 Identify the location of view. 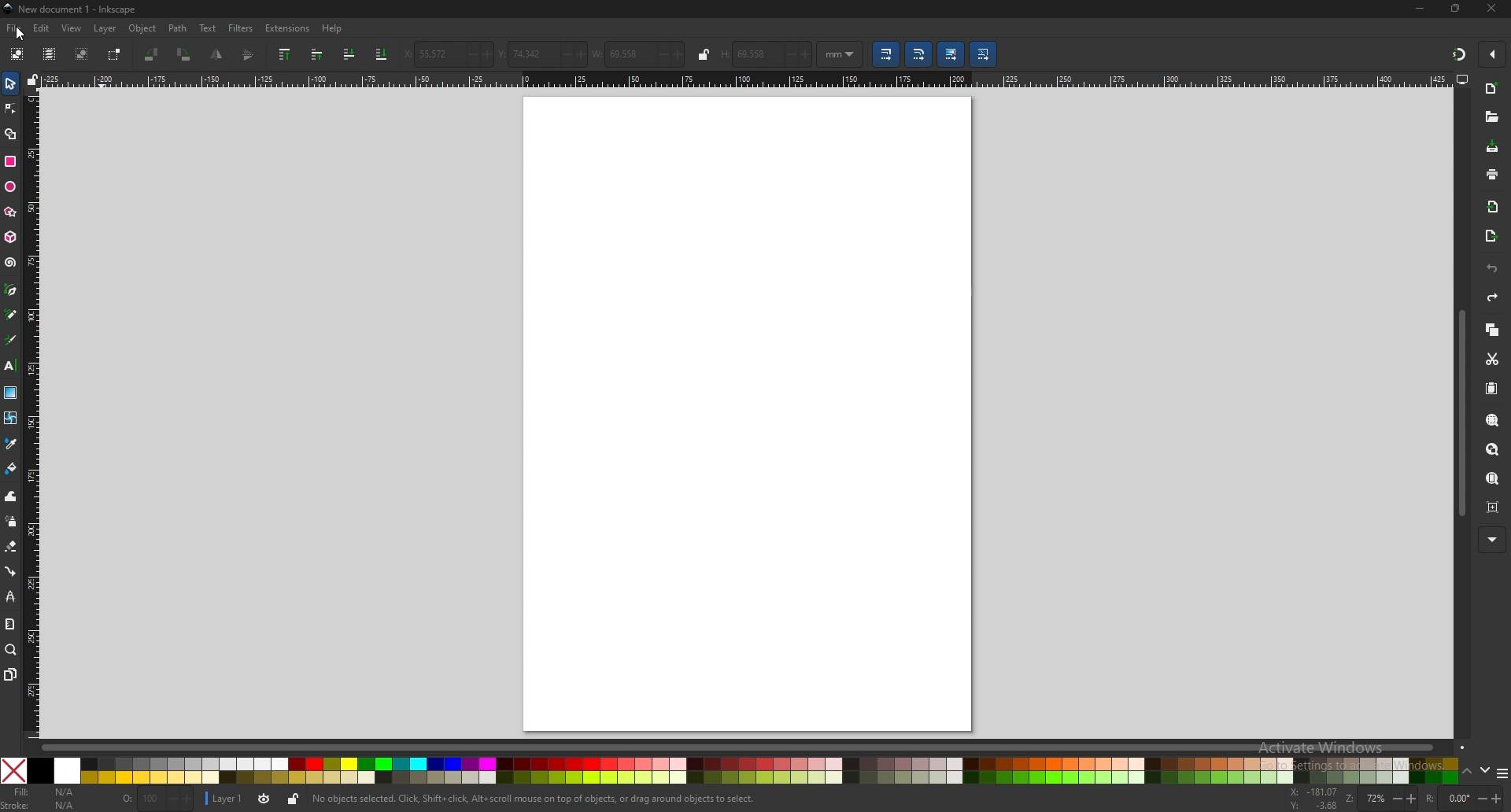
(74, 28).